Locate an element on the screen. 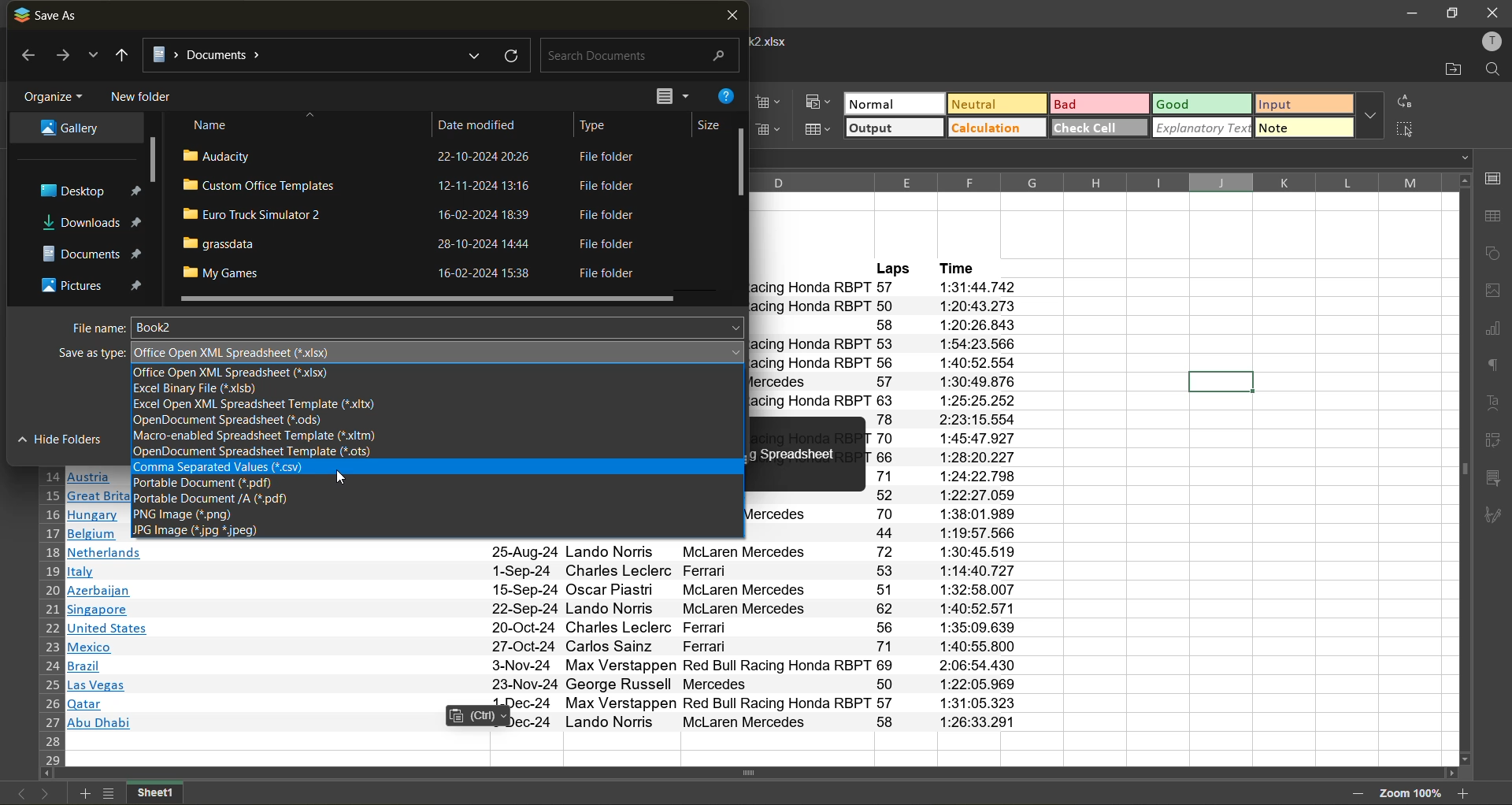  horizontal scrollbar is located at coordinates (747, 773).